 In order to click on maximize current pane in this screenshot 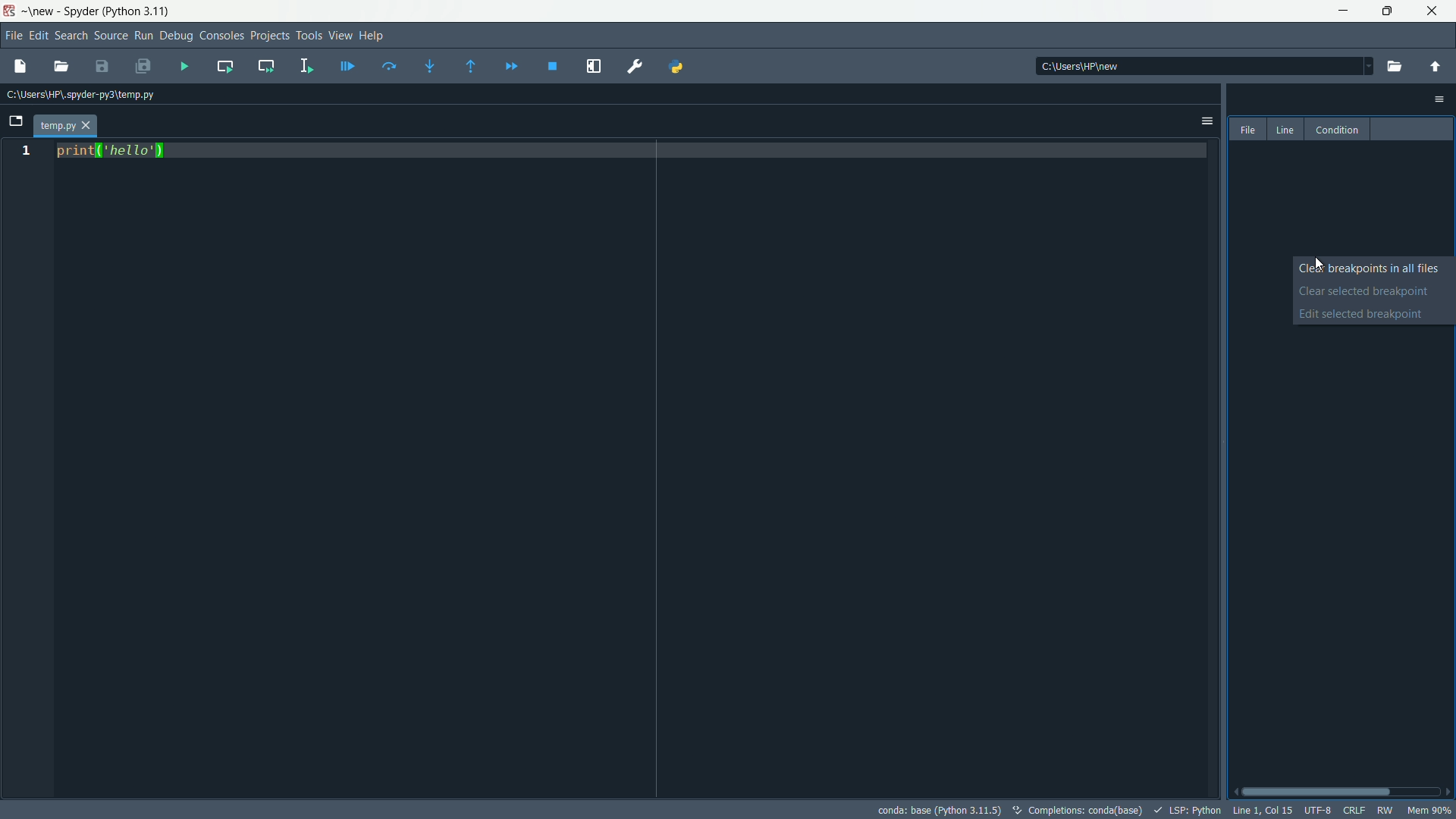, I will do `click(594, 67)`.